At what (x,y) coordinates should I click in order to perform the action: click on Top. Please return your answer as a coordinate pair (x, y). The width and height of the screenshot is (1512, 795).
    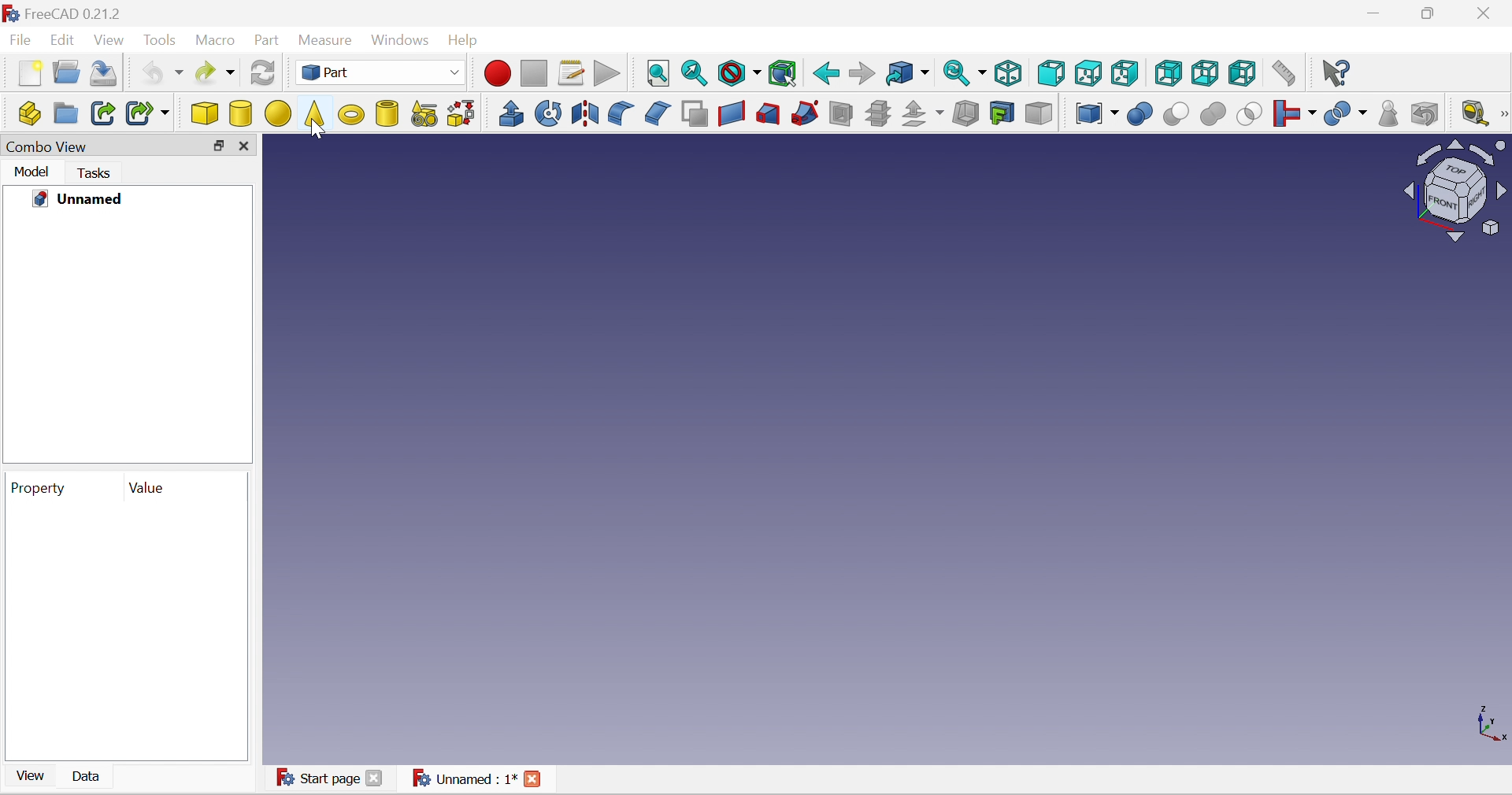
    Looking at the image, I should click on (1089, 72).